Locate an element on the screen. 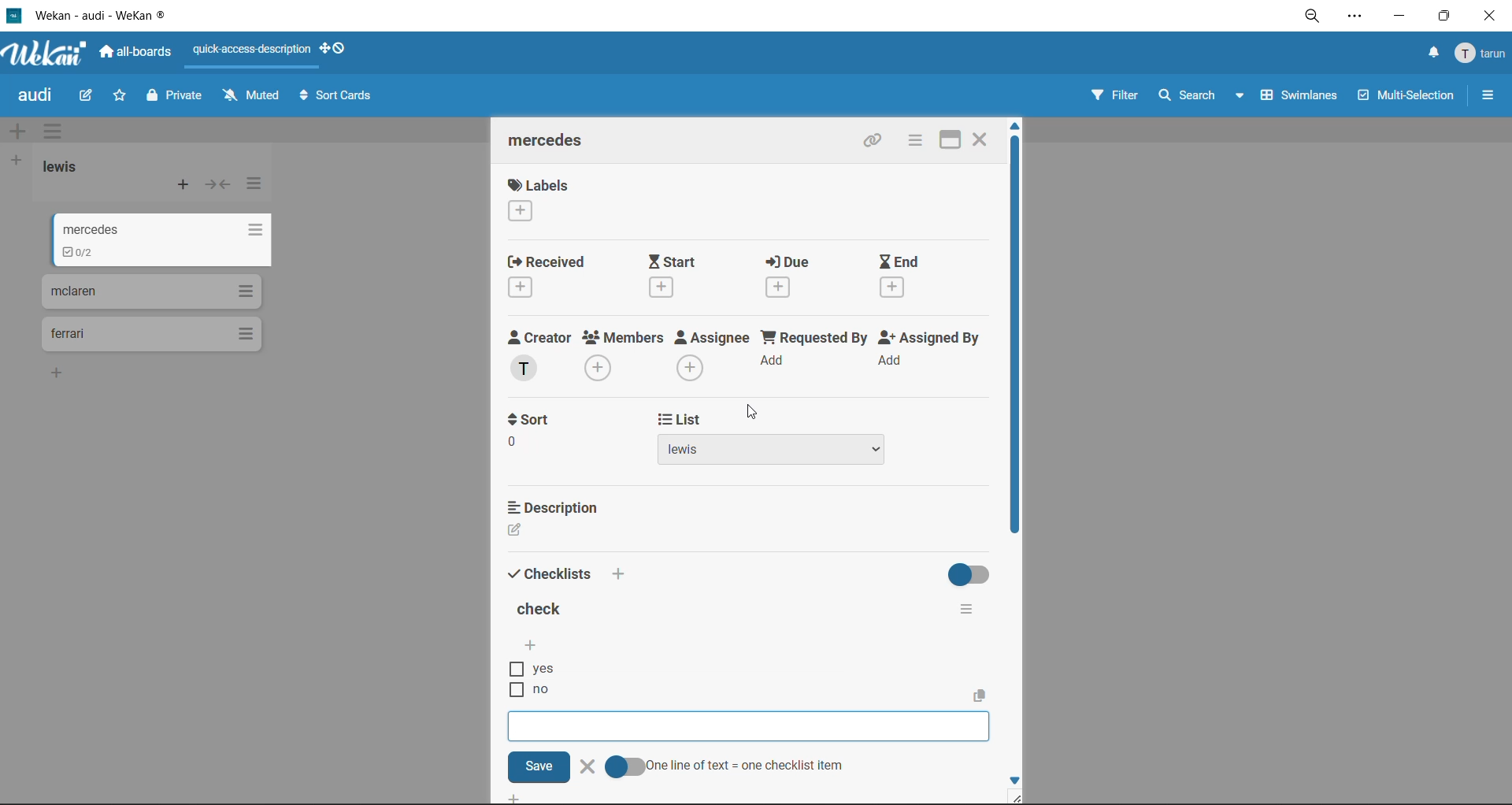 The width and height of the screenshot is (1512, 805). checklist title is located at coordinates (543, 611).